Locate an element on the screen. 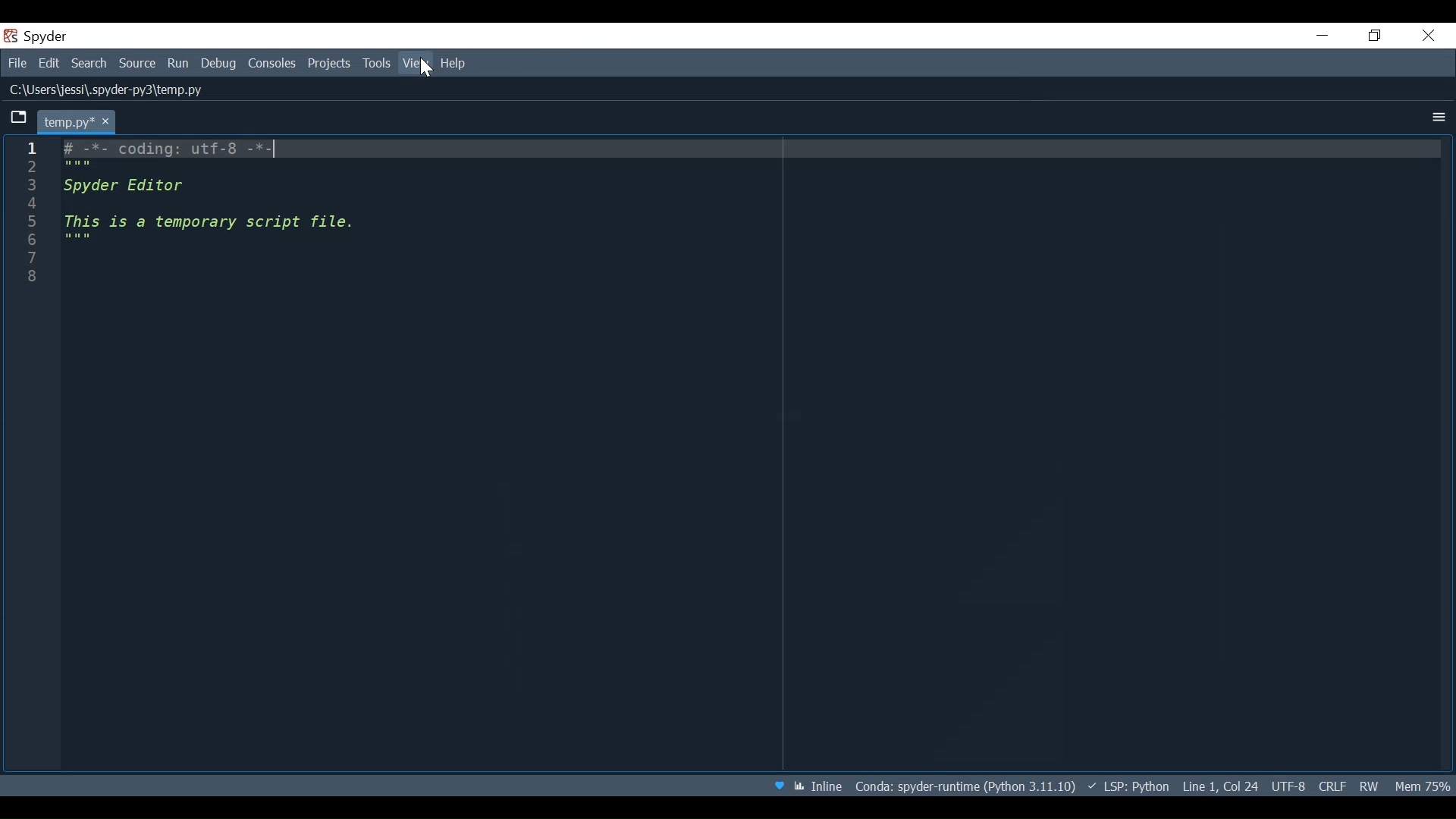  Help Spyder is located at coordinates (780, 786).